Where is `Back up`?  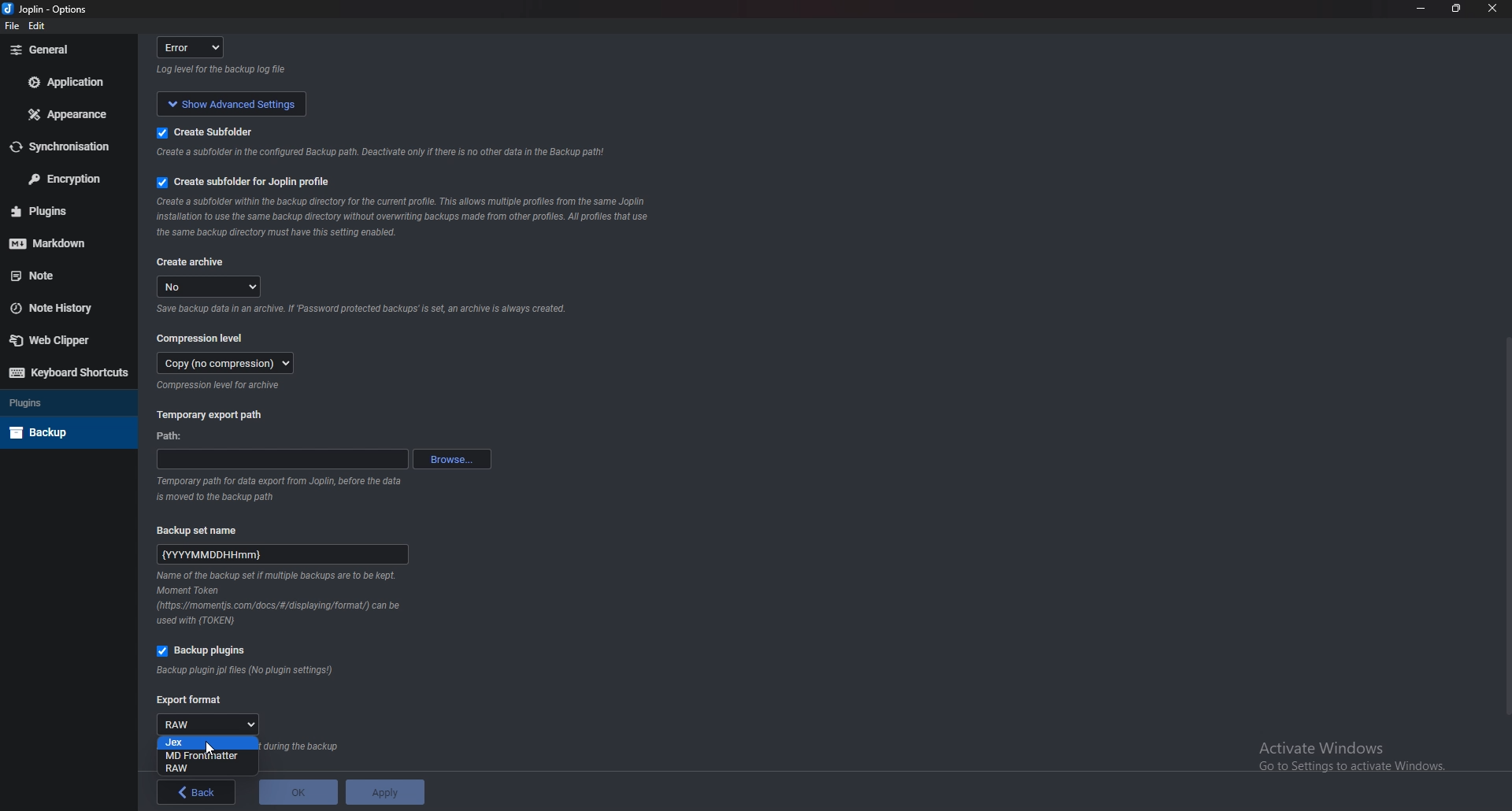 Back up is located at coordinates (64, 432).